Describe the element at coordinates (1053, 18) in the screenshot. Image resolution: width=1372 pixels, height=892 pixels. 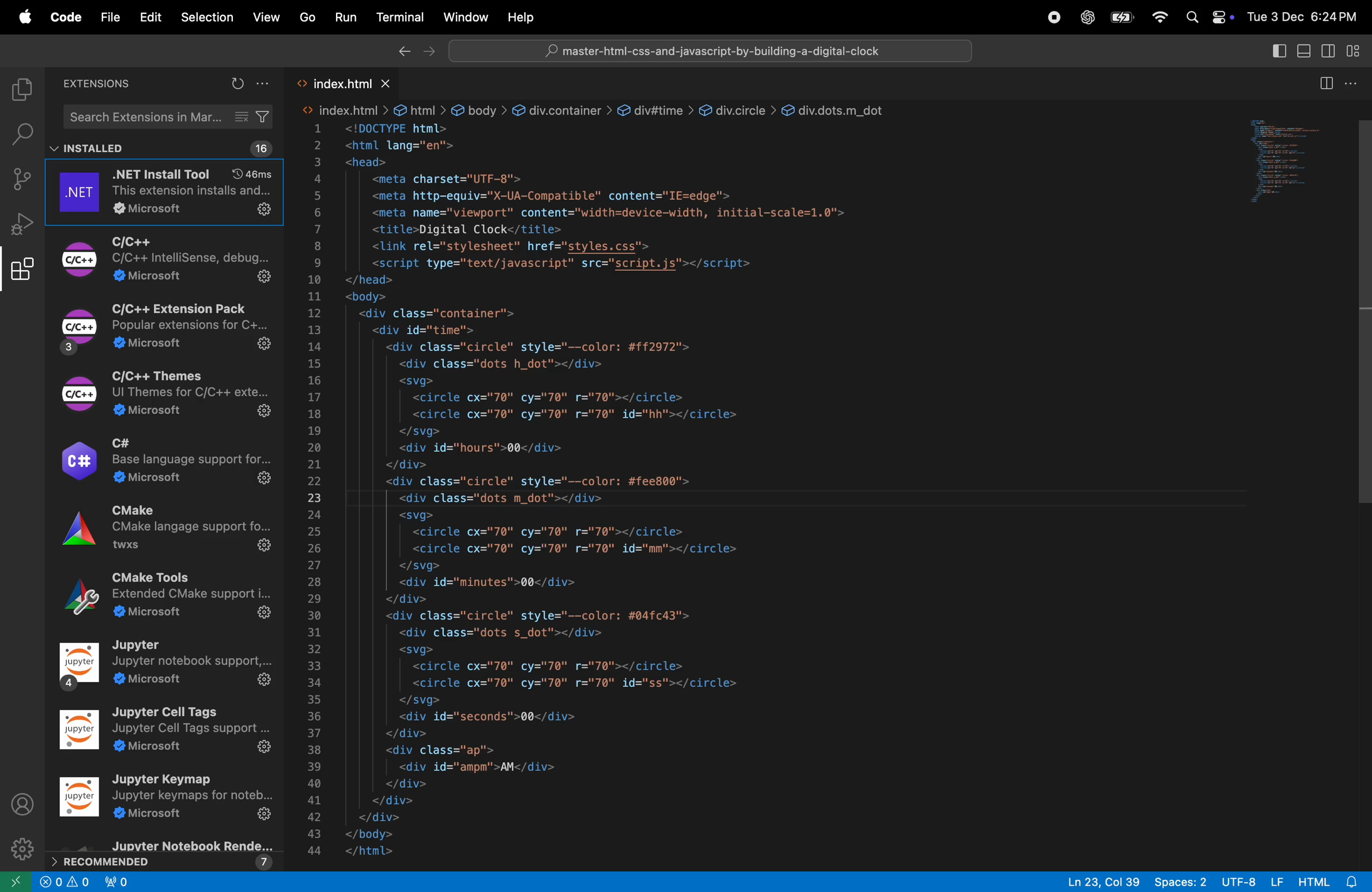
I see `record` at that location.